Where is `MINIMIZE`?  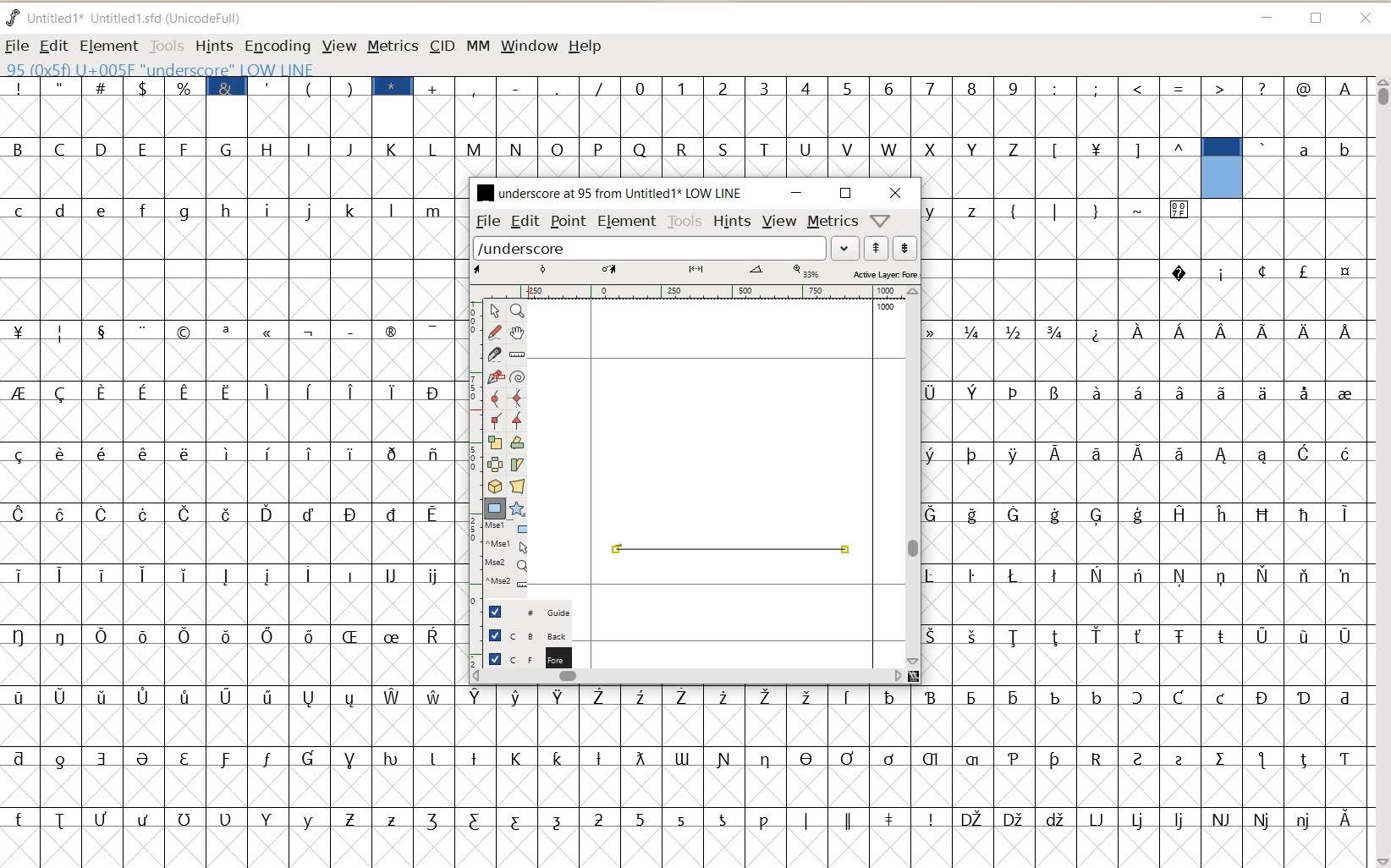
MINIMIZE is located at coordinates (798, 193).